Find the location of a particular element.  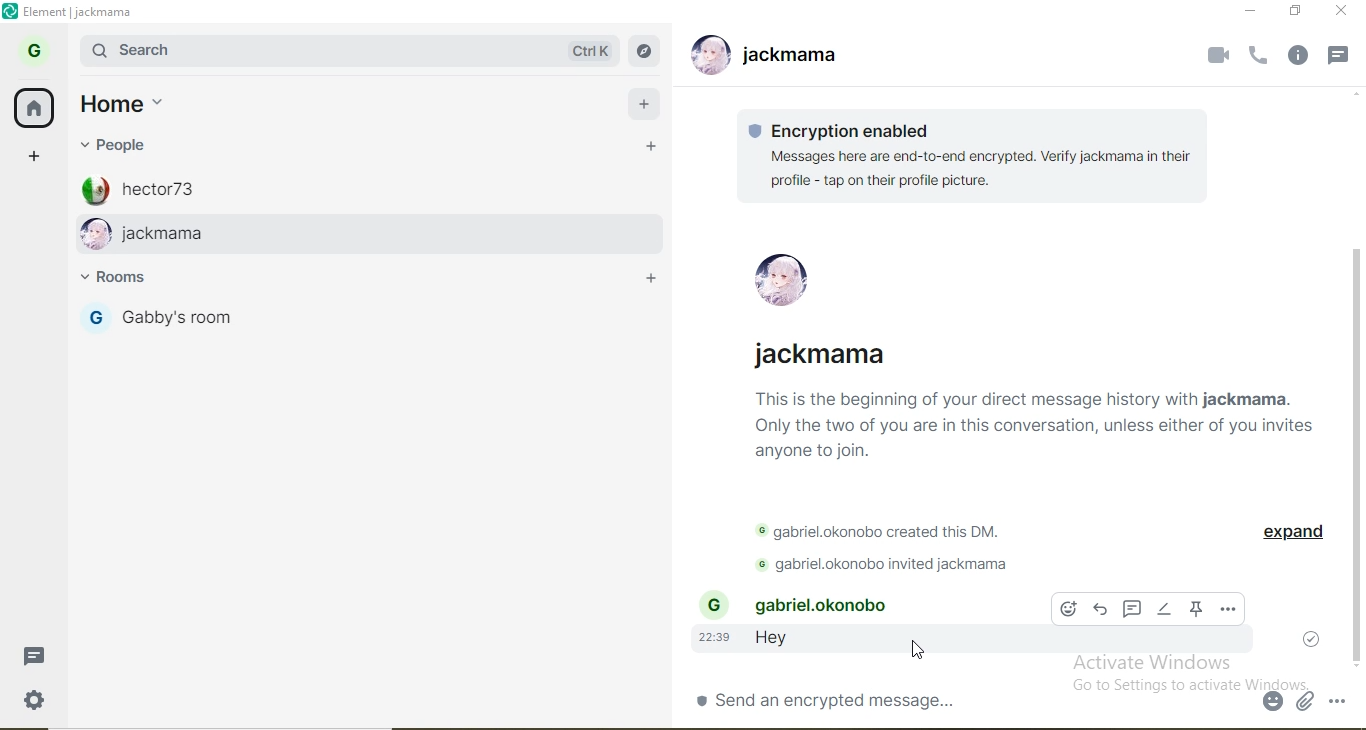

hector 73 is located at coordinates (392, 188).